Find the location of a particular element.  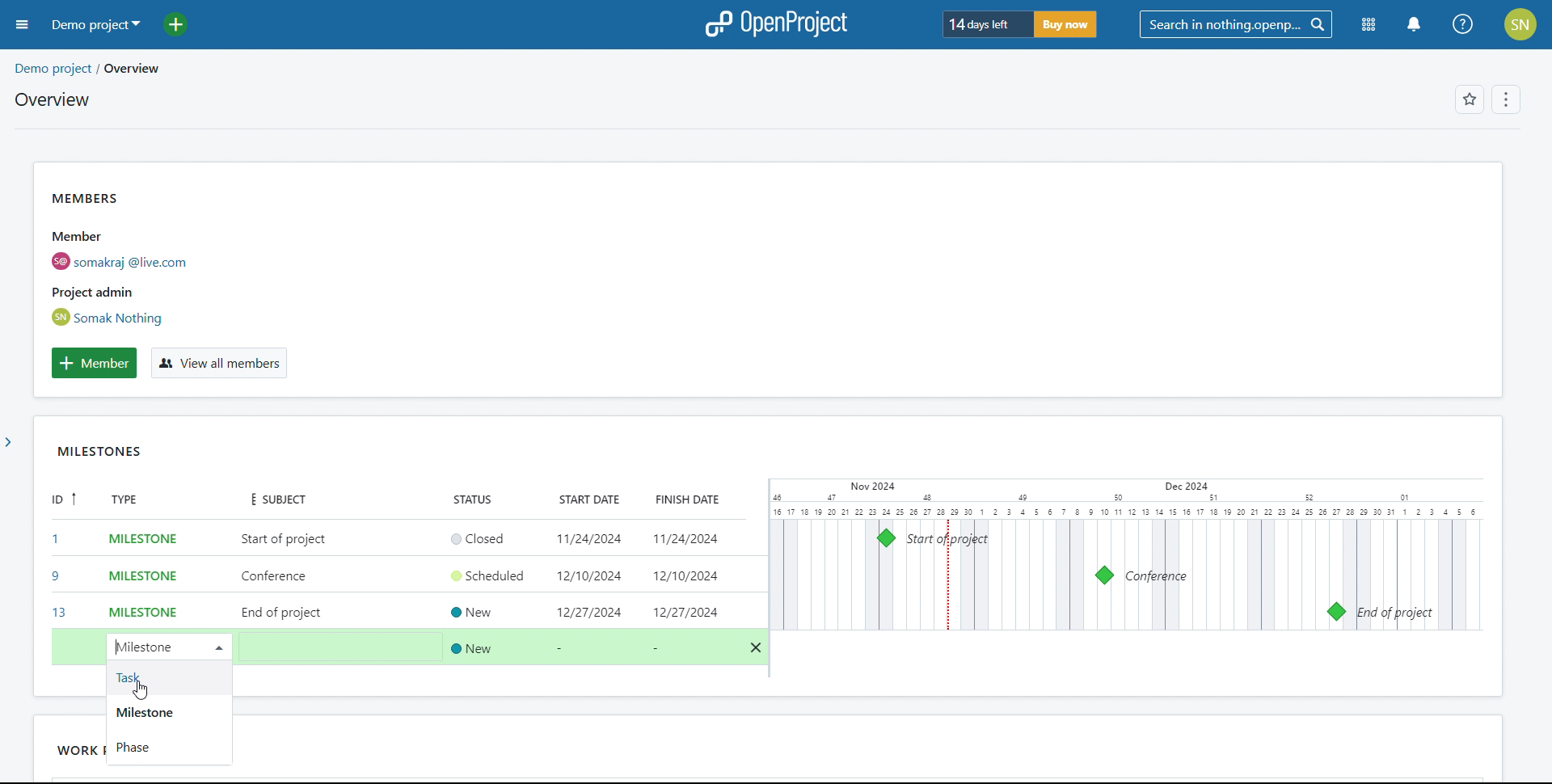

subject is located at coordinates (272, 498).